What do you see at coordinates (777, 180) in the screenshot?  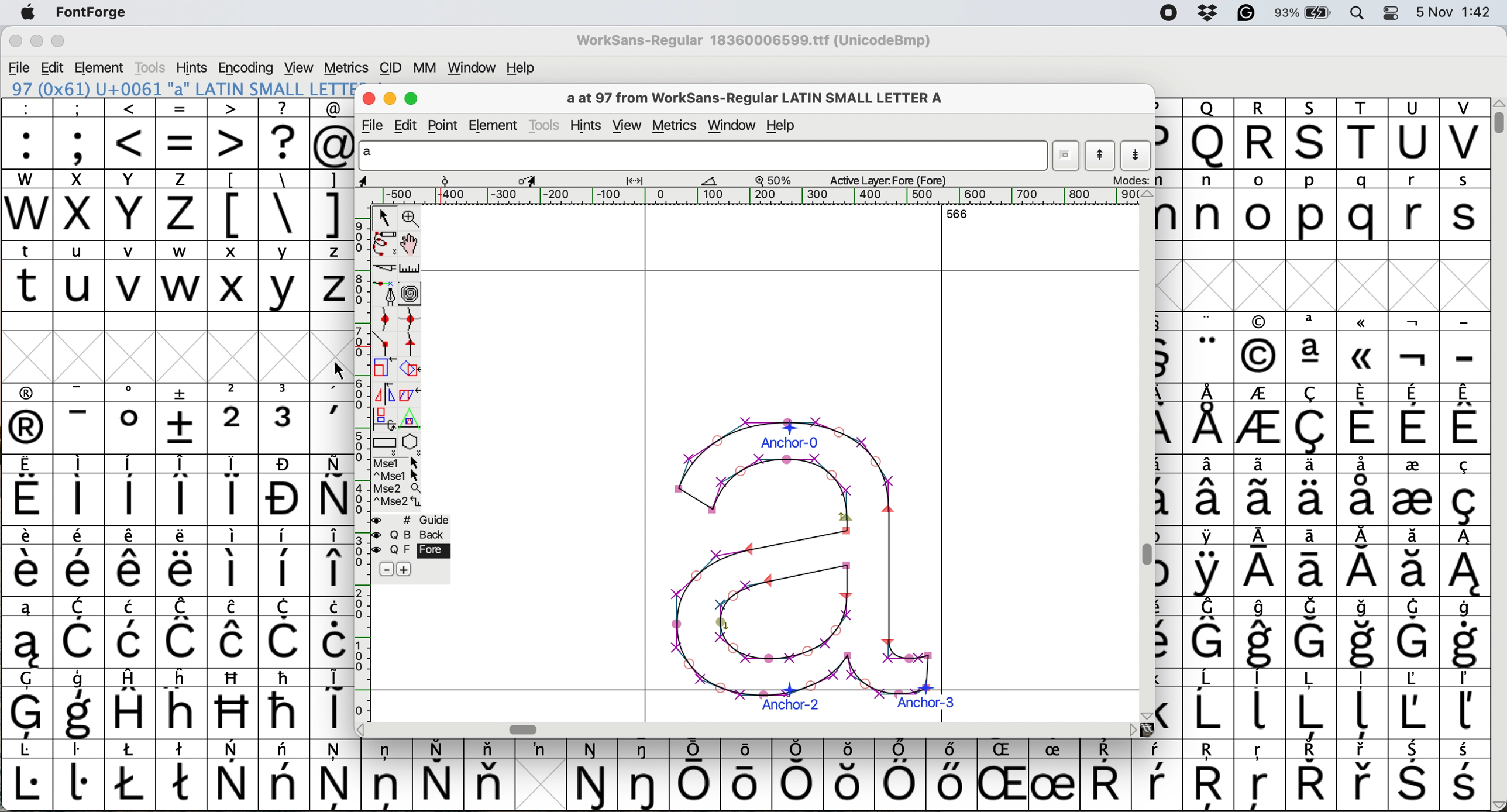 I see `zoom scale` at bounding box center [777, 180].